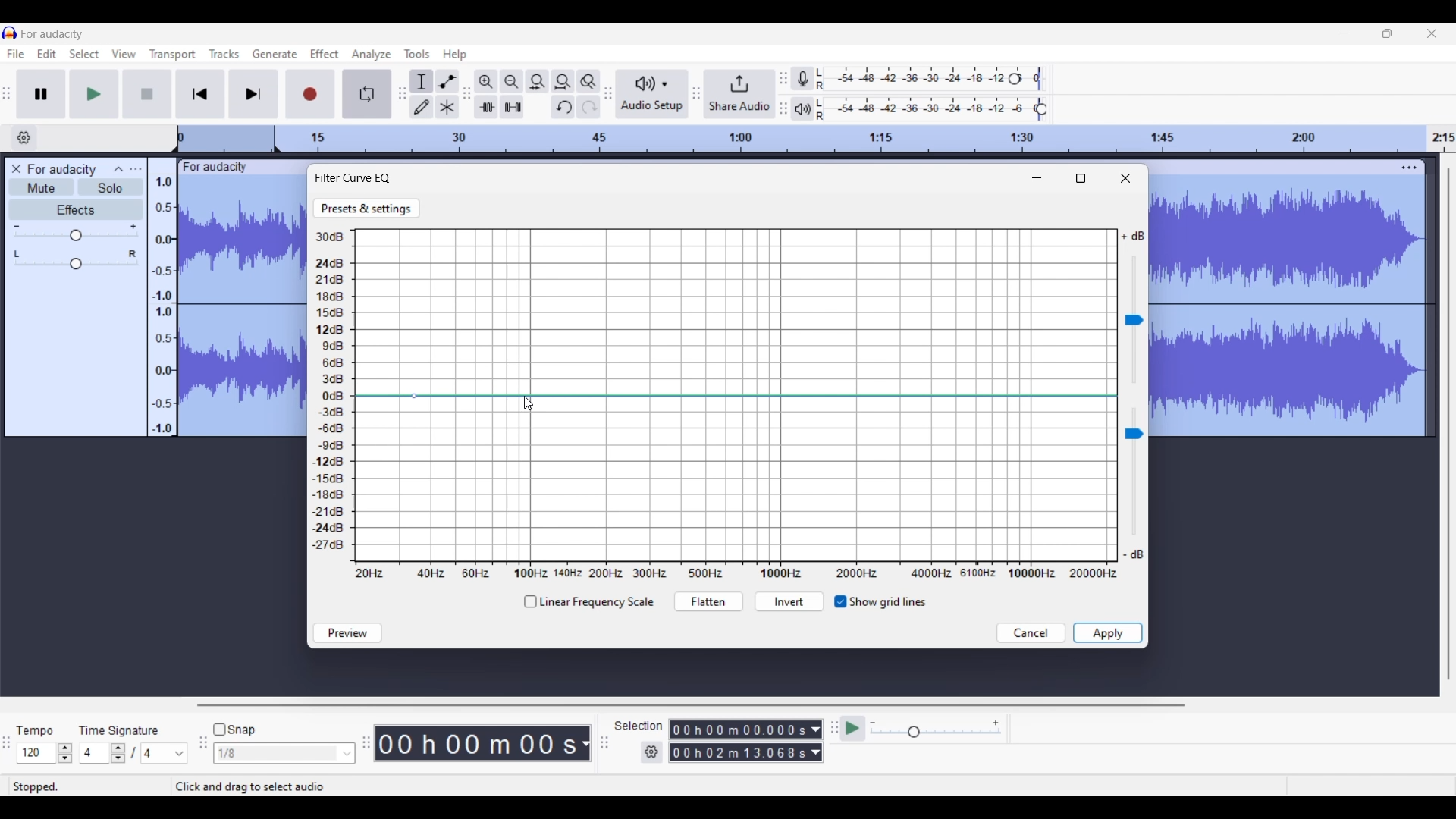  What do you see at coordinates (511, 81) in the screenshot?
I see `Zoom out` at bounding box center [511, 81].